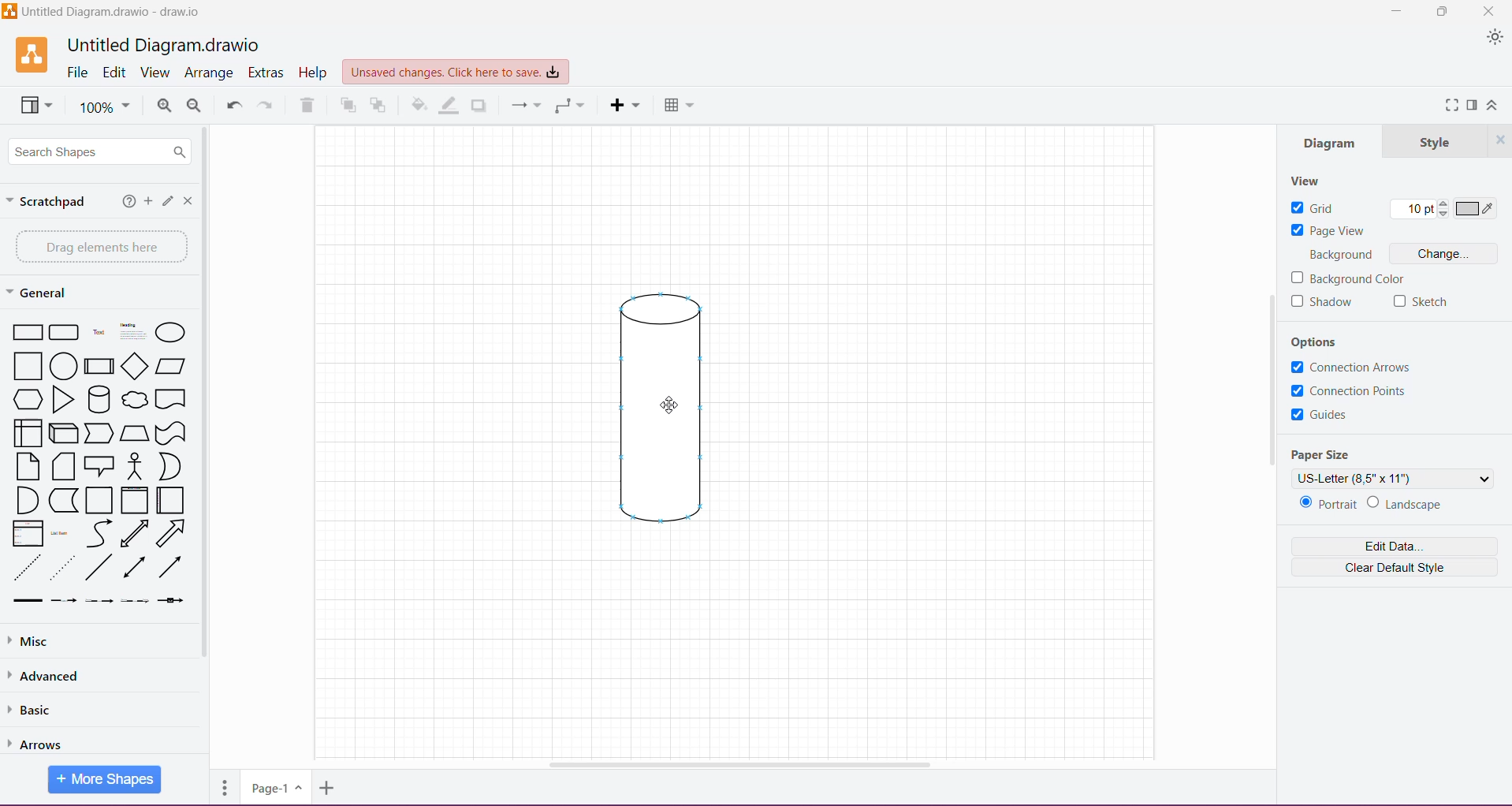 This screenshot has width=1512, height=806. Describe the element at coordinates (1324, 417) in the screenshot. I see `Guides` at that location.